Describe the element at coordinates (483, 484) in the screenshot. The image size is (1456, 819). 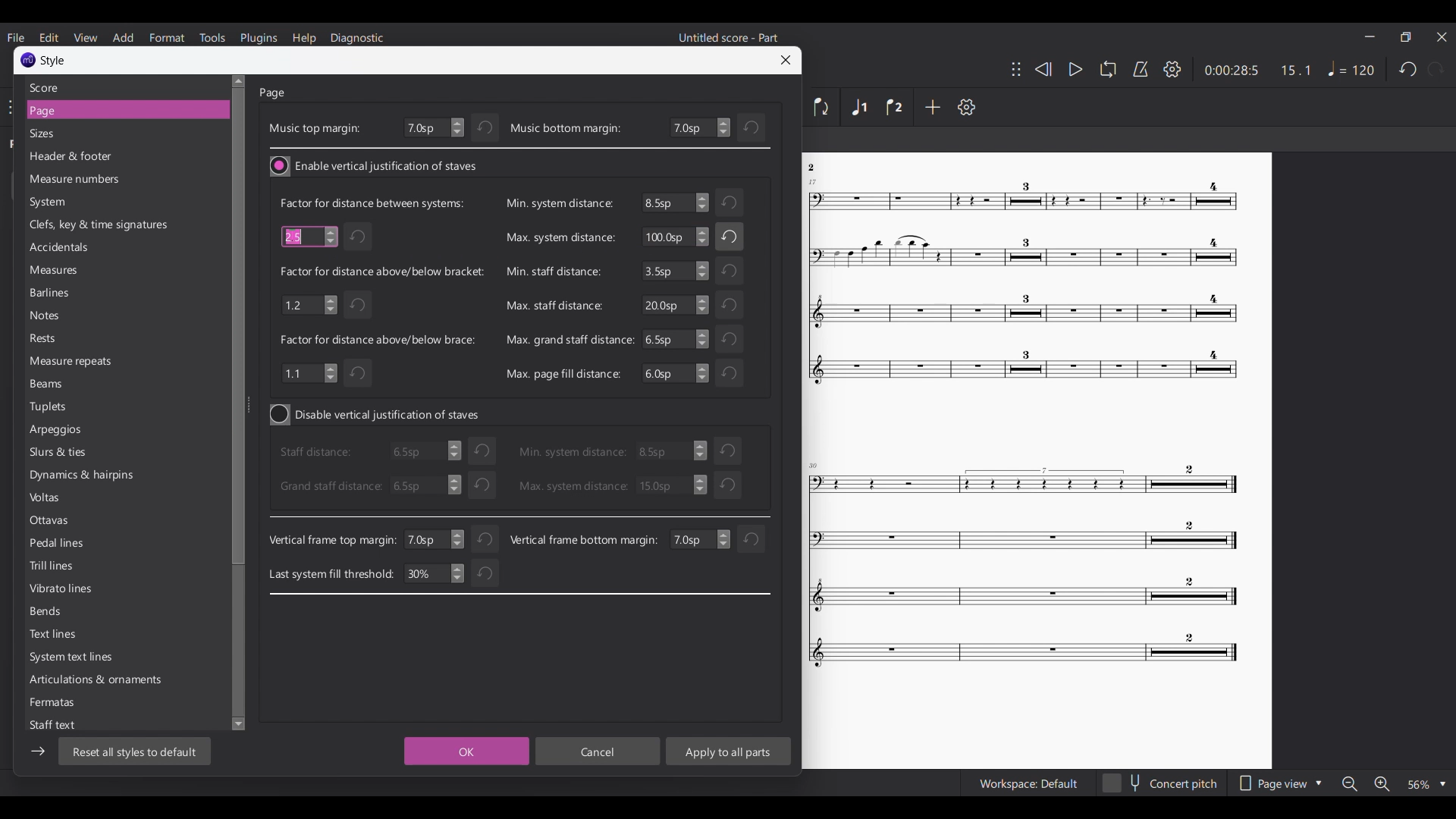
I see `Undo` at that location.